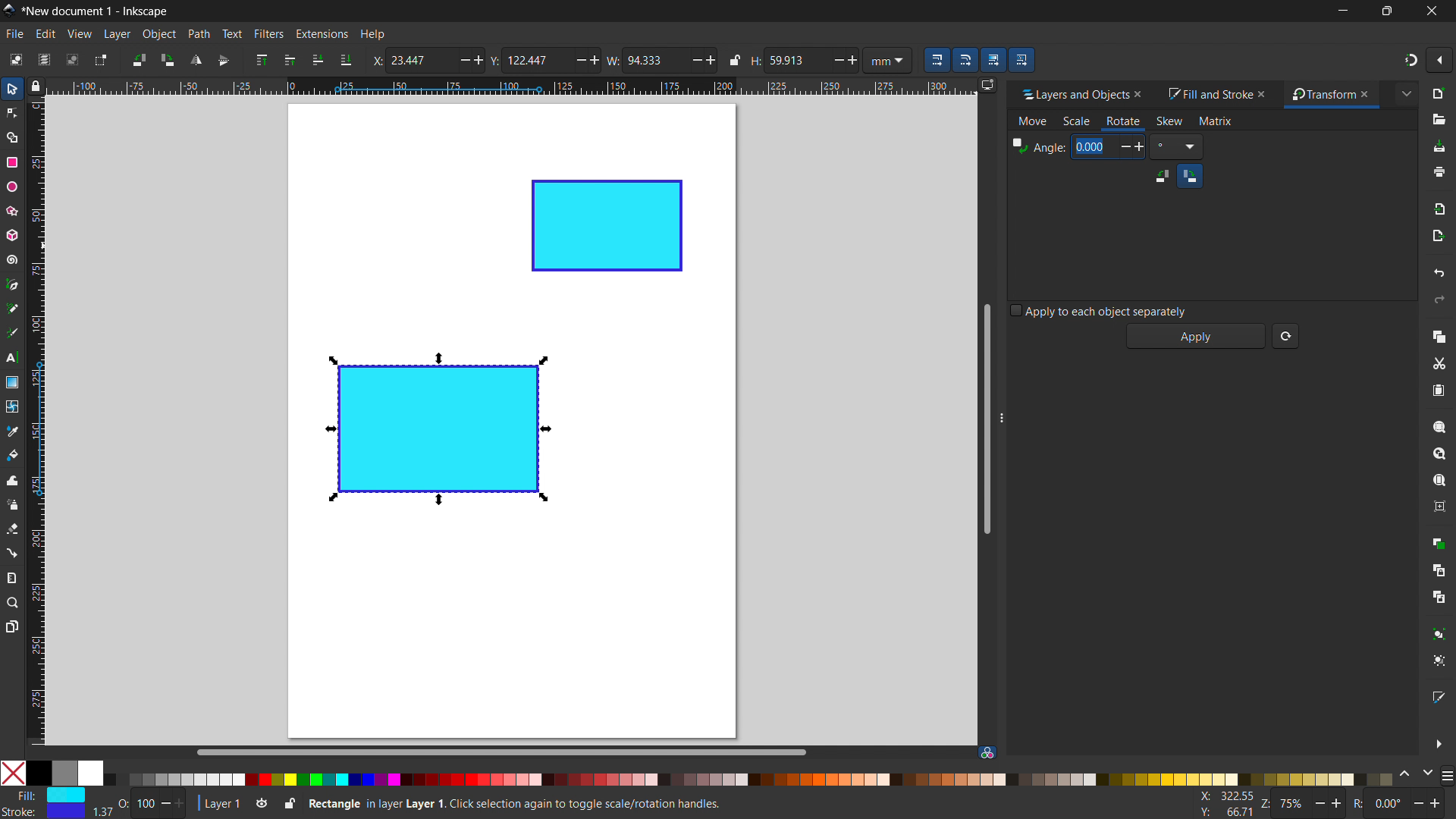  I want to click on Fill, so click(46, 795).